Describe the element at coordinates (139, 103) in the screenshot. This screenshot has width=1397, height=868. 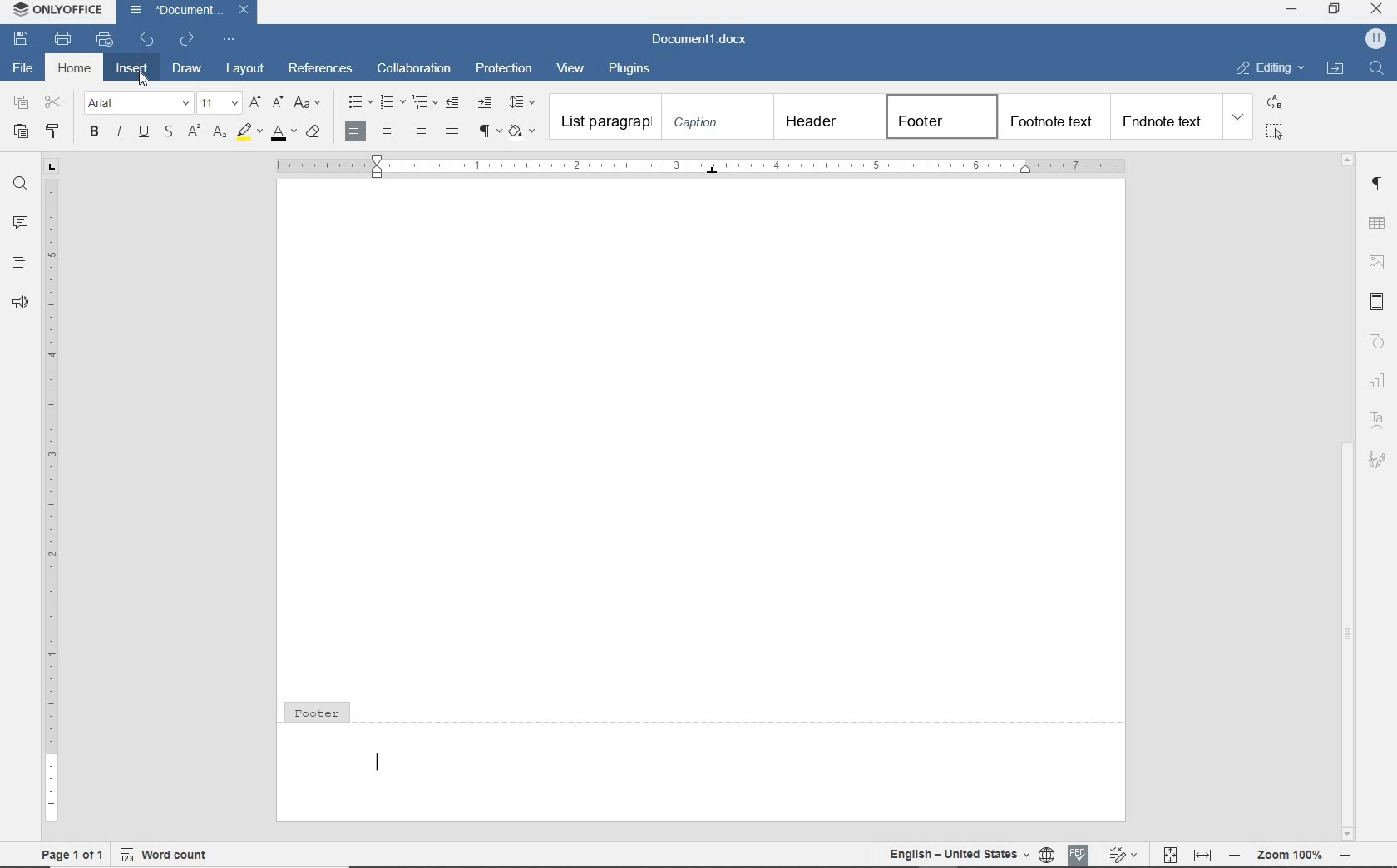
I see `font name` at that location.